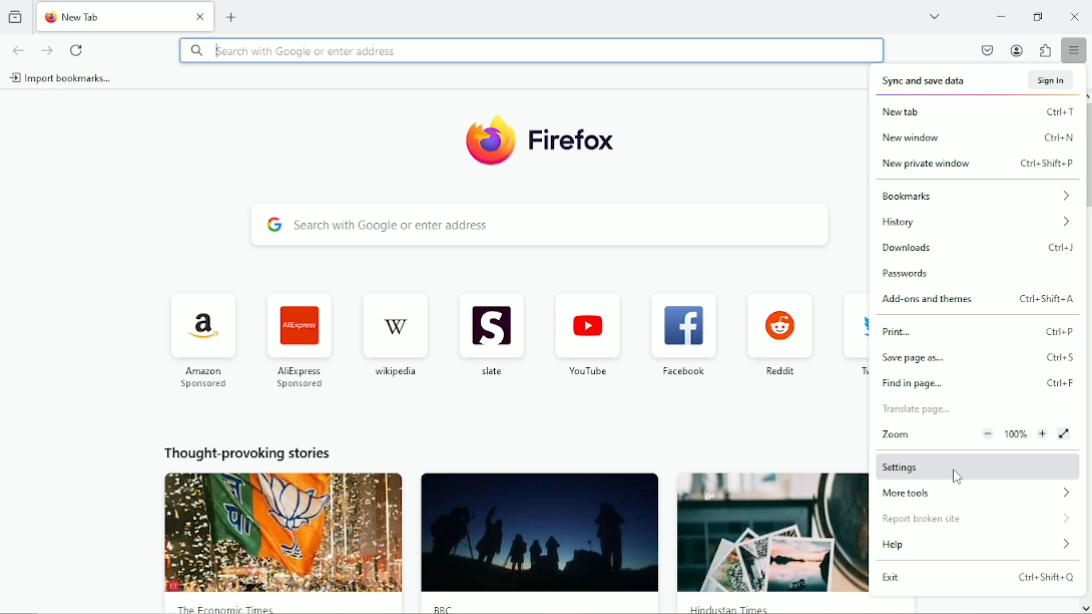 This screenshot has width=1092, height=614. Describe the element at coordinates (976, 164) in the screenshot. I see `New private window  Ctrl+Shift+P` at that location.